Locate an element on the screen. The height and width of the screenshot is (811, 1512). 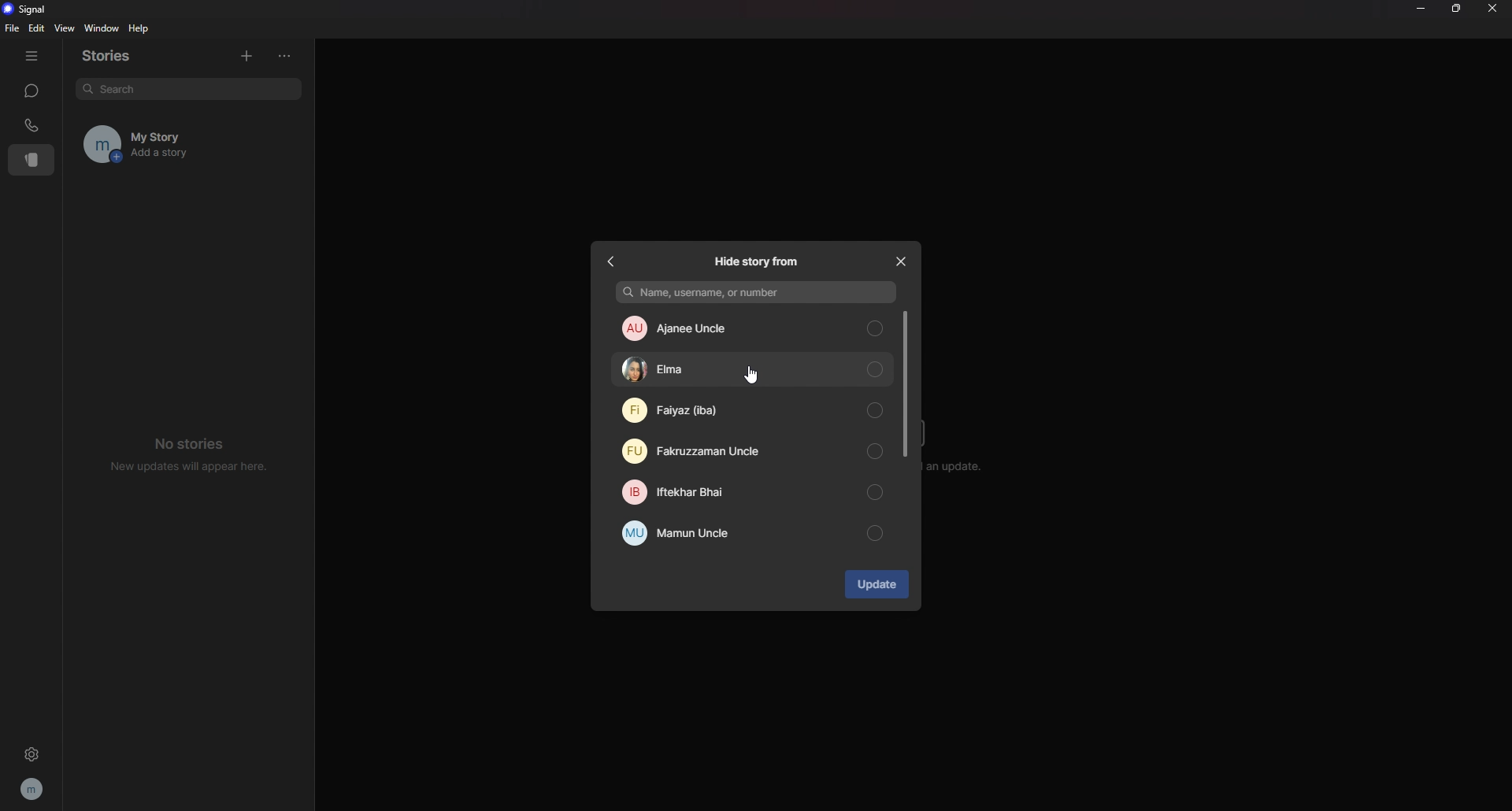
ajanee uncle is located at coordinates (752, 326).